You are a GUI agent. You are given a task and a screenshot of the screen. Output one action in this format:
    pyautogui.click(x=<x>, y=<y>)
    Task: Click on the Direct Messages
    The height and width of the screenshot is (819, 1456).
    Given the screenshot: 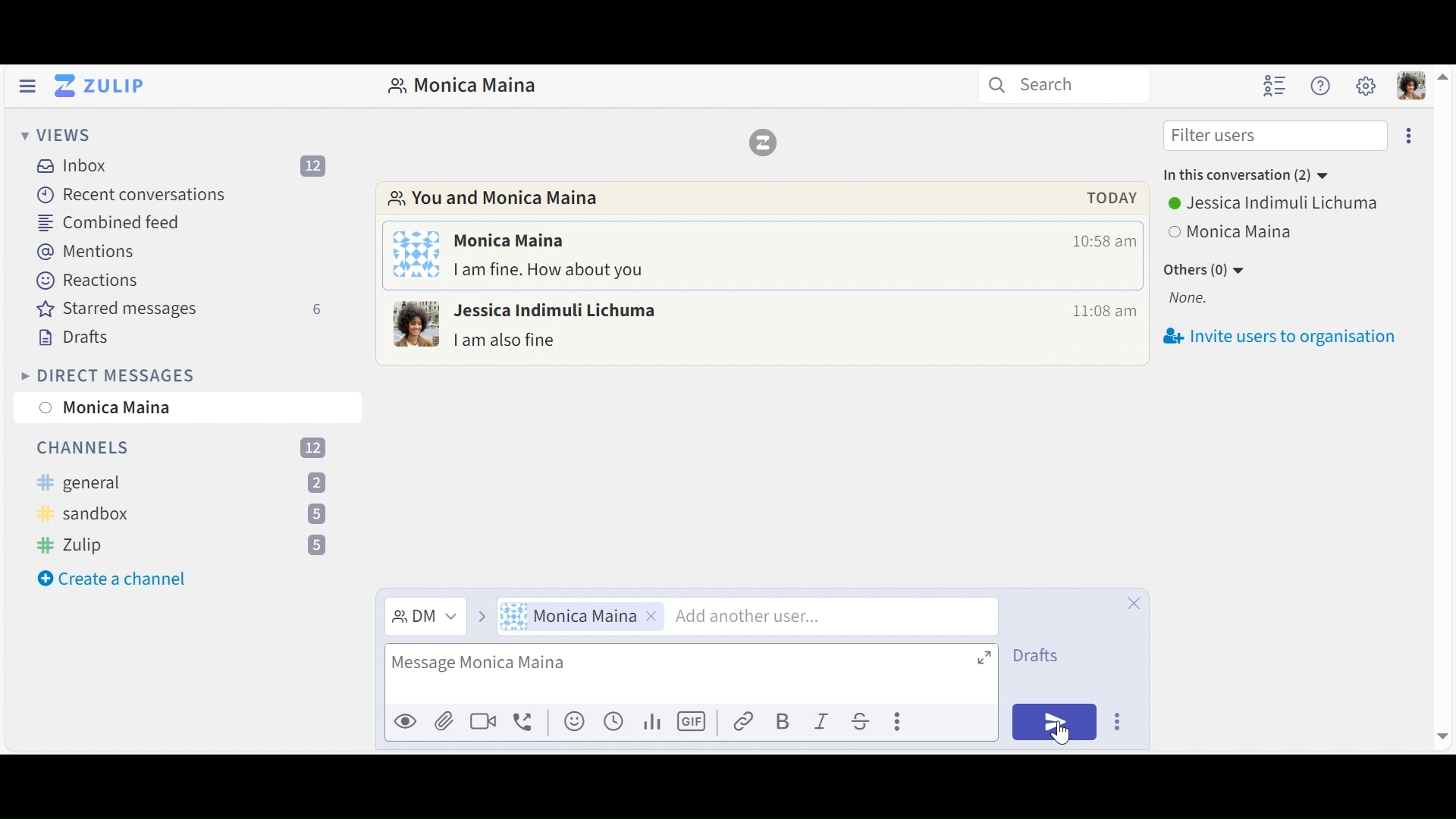 What is the action you would take?
    pyautogui.click(x=110, y=375)
    